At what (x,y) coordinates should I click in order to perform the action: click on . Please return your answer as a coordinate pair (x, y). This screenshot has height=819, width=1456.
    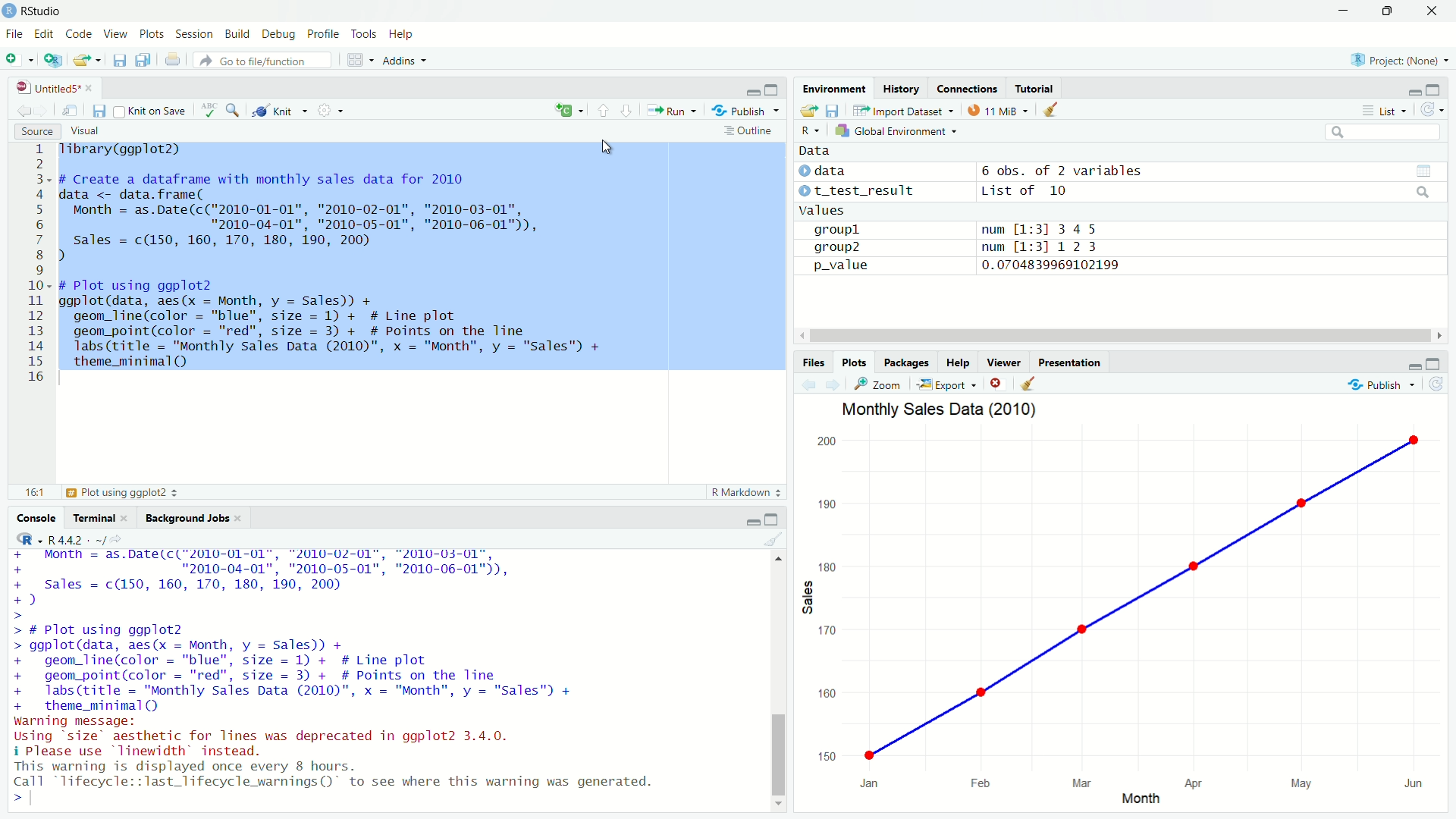
    Looking at the image, I should click on (1378, 130).